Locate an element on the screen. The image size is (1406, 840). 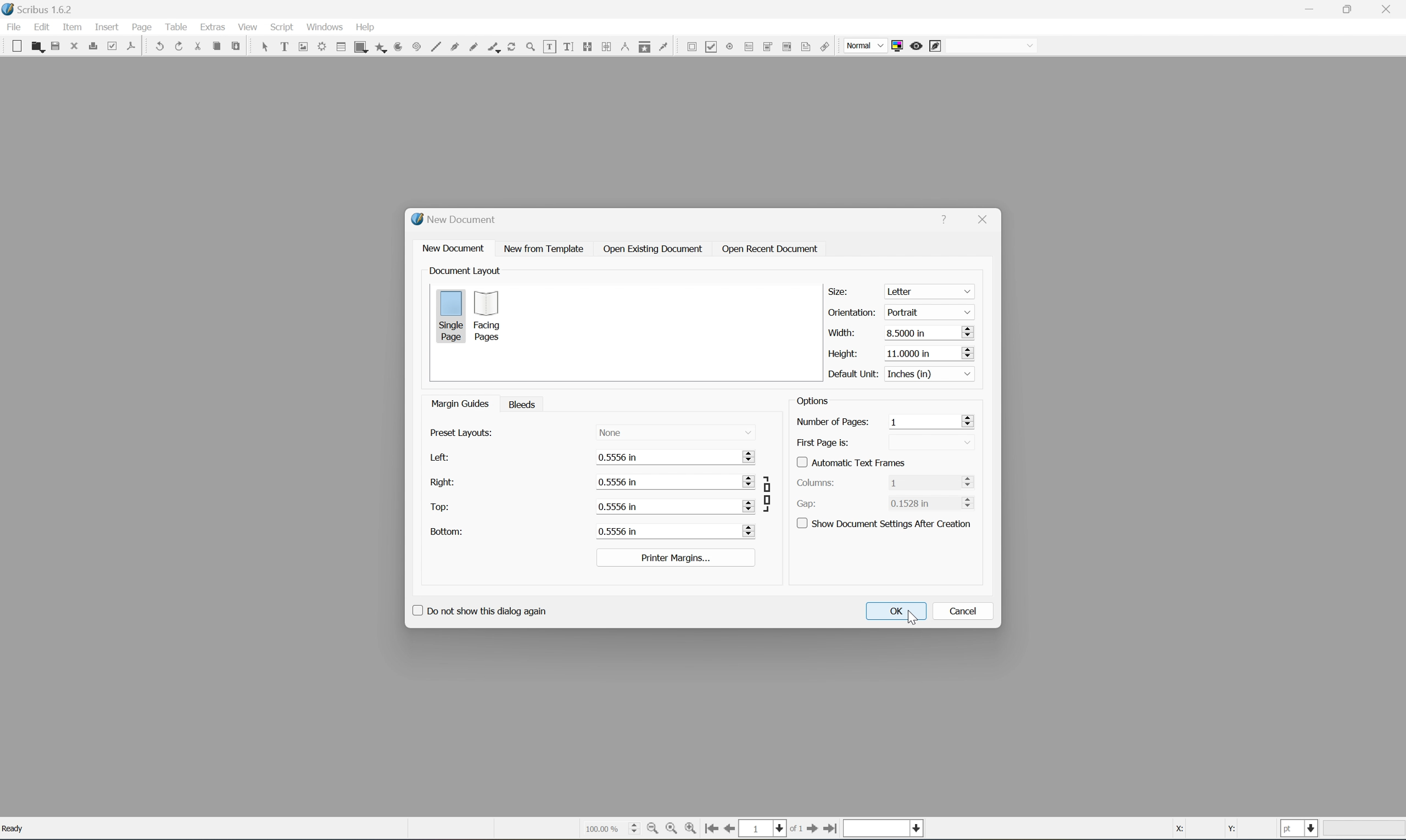
0.1528 in is located at coordinates (928, 501).